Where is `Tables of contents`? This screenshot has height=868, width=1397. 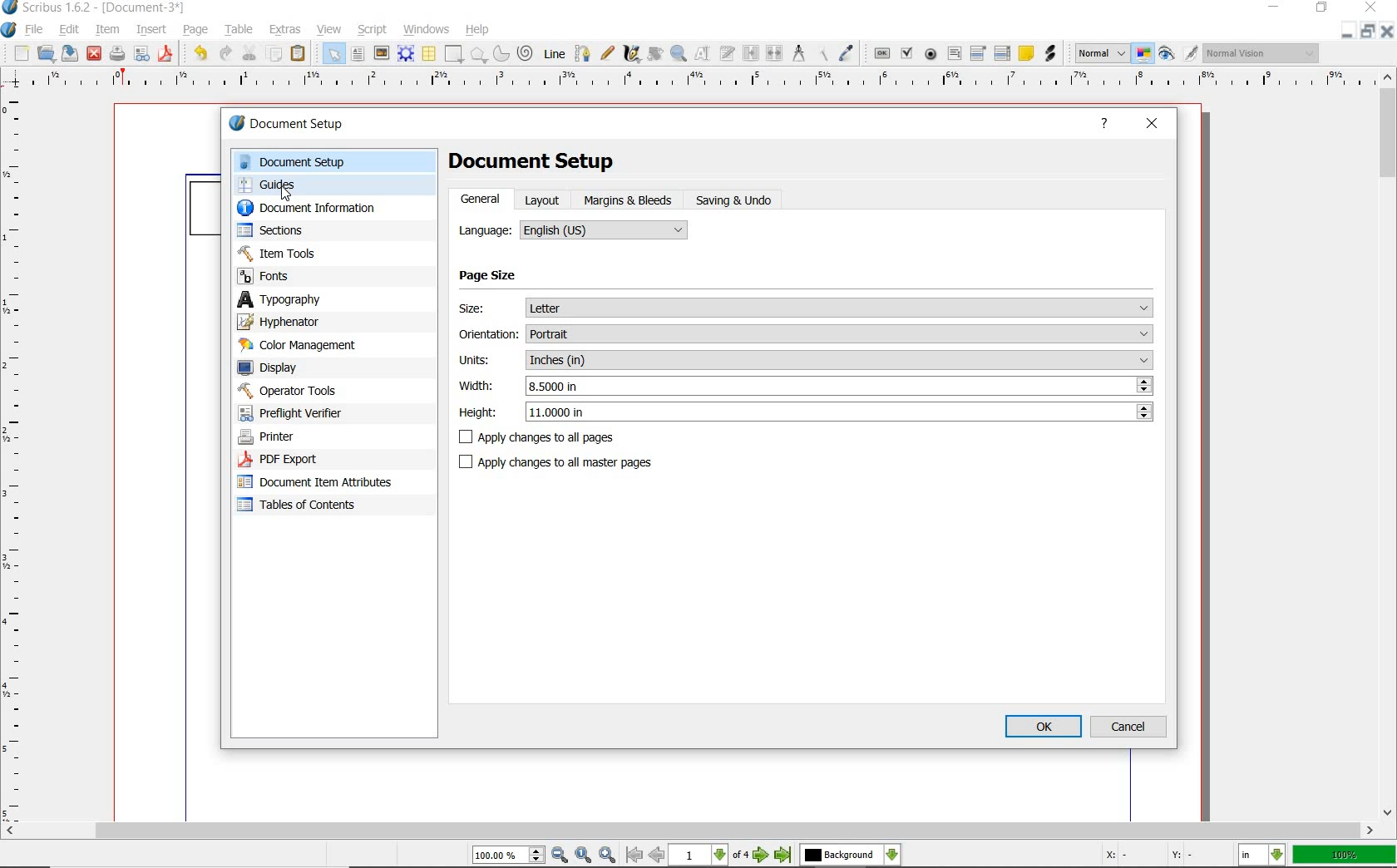
Tables of contents is located at coordinates (305, 506).